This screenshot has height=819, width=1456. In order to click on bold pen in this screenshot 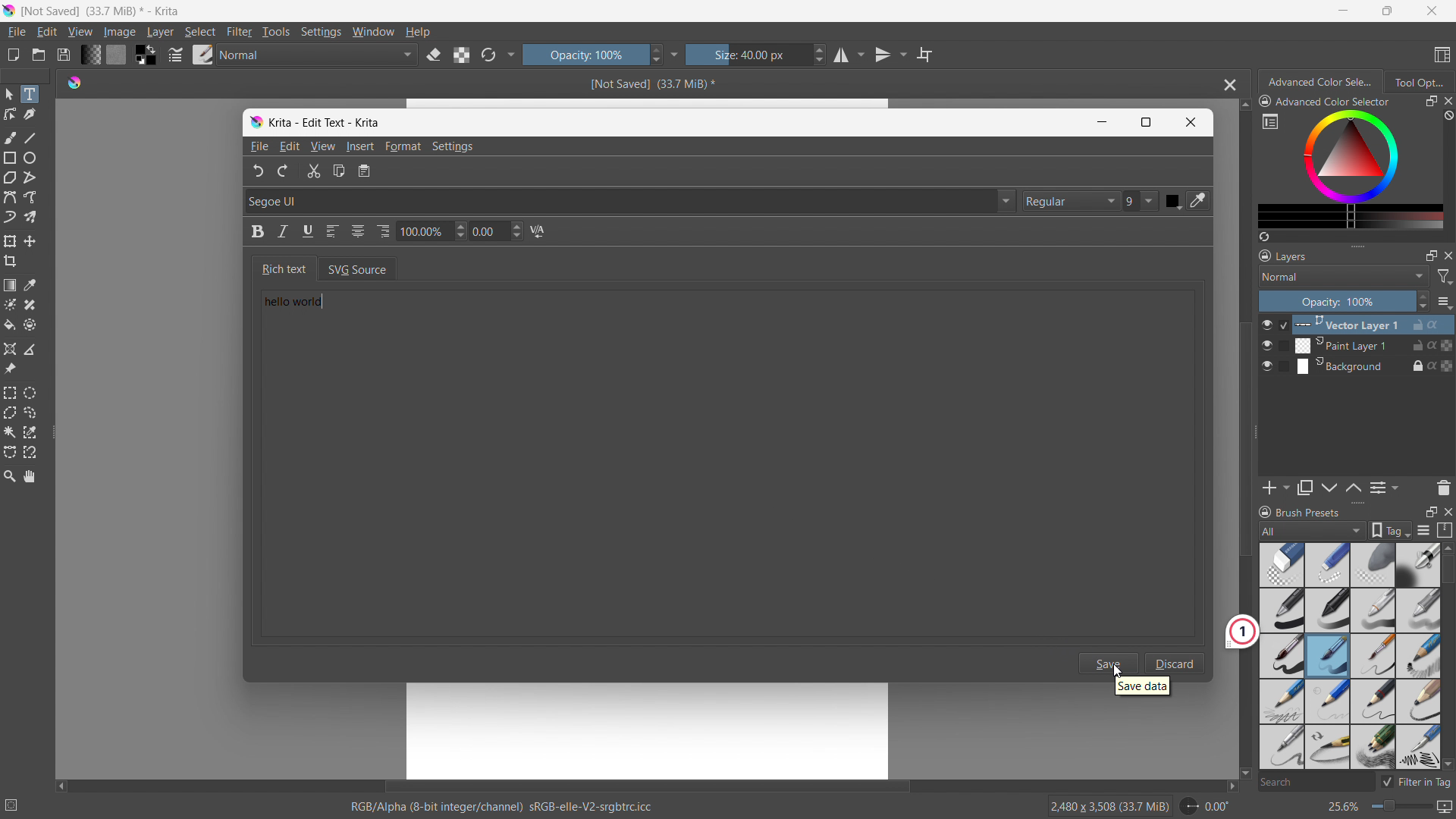, I will do `click(1281, 611)`.